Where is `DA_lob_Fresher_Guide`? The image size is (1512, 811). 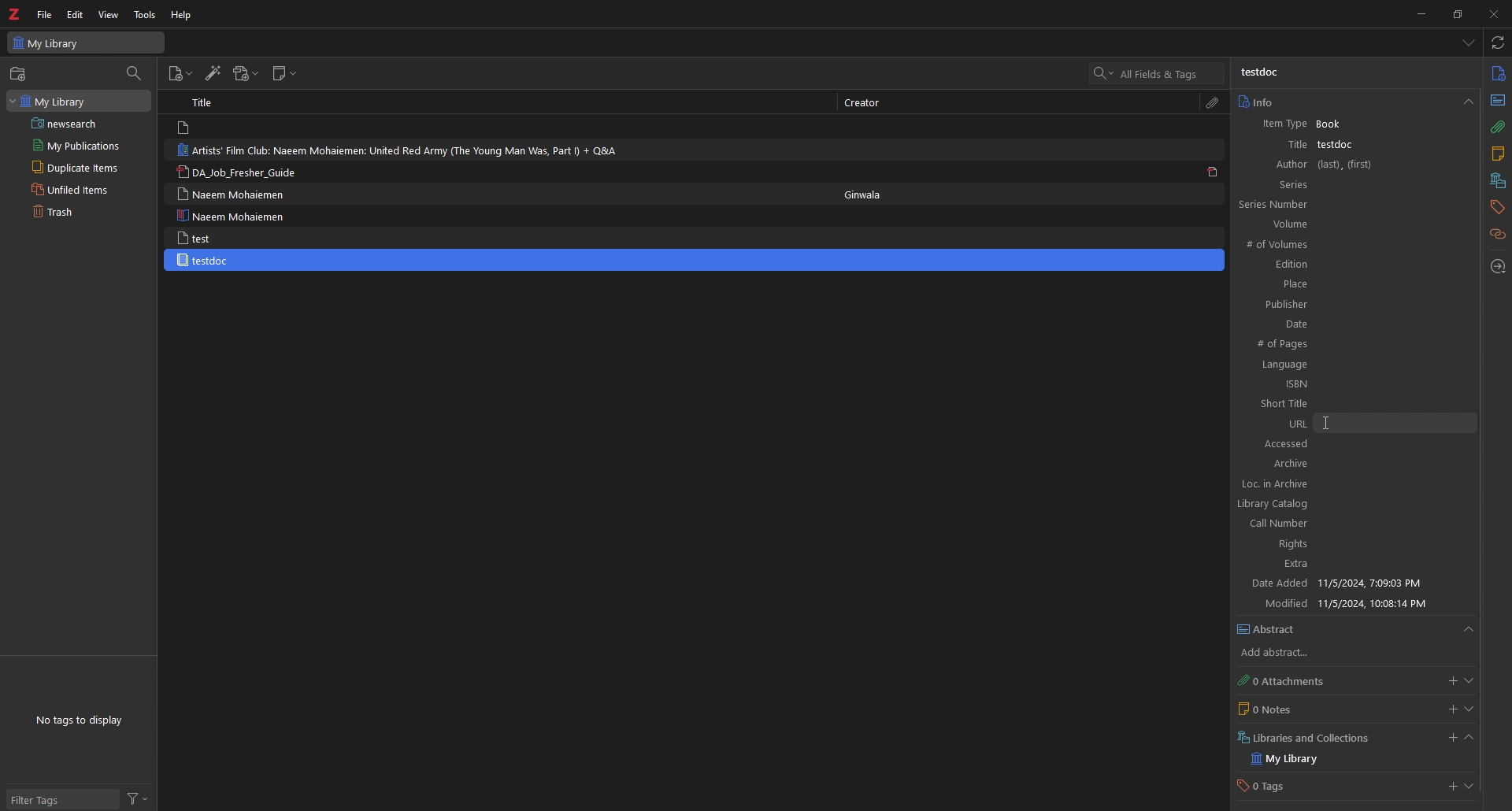
DA_lob_Fresher_Guide is located at coordinates (239, 173).